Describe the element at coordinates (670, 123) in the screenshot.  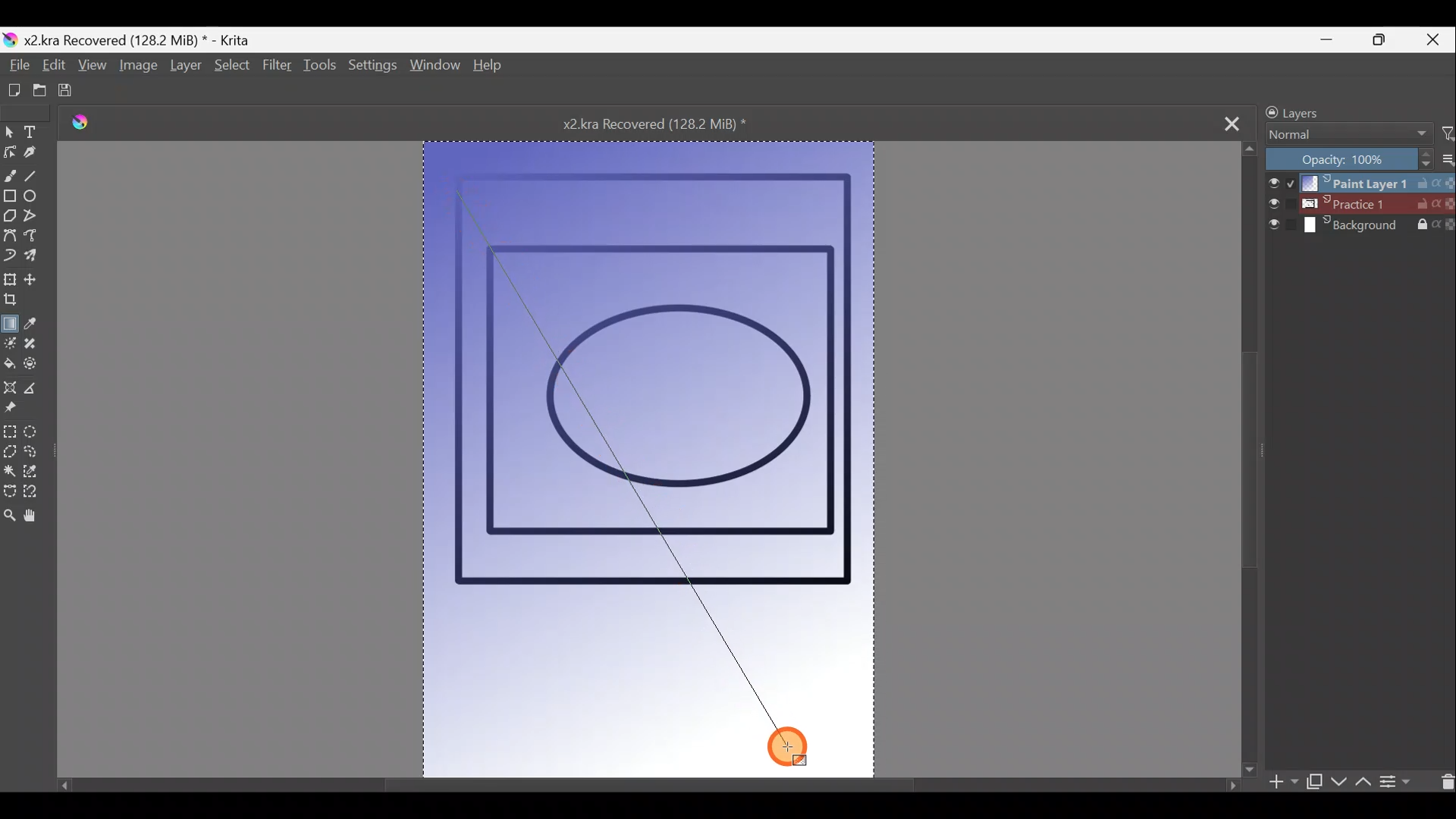
I see `Document name` at that location.